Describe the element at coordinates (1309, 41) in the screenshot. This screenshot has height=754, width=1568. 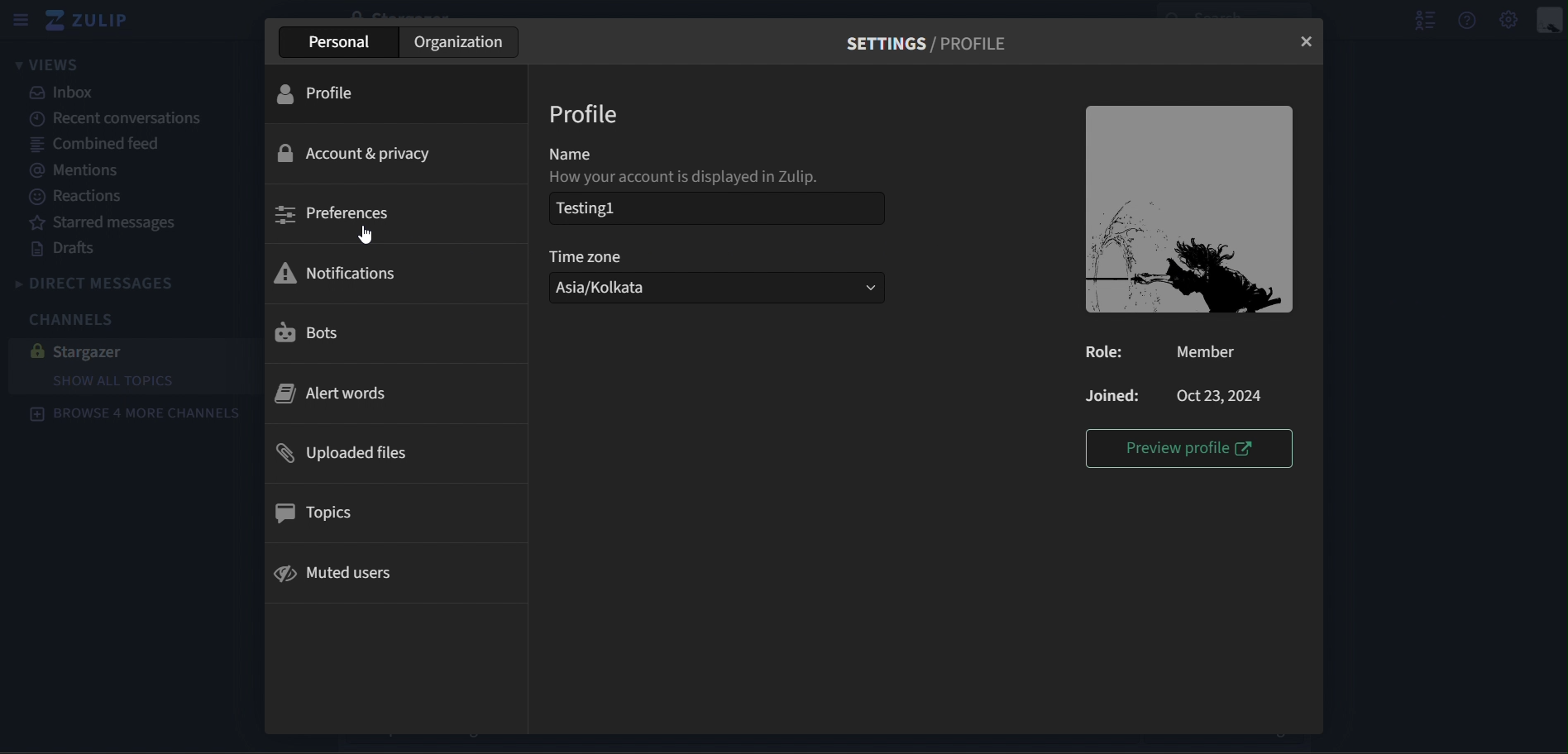
I see `close` at that location.